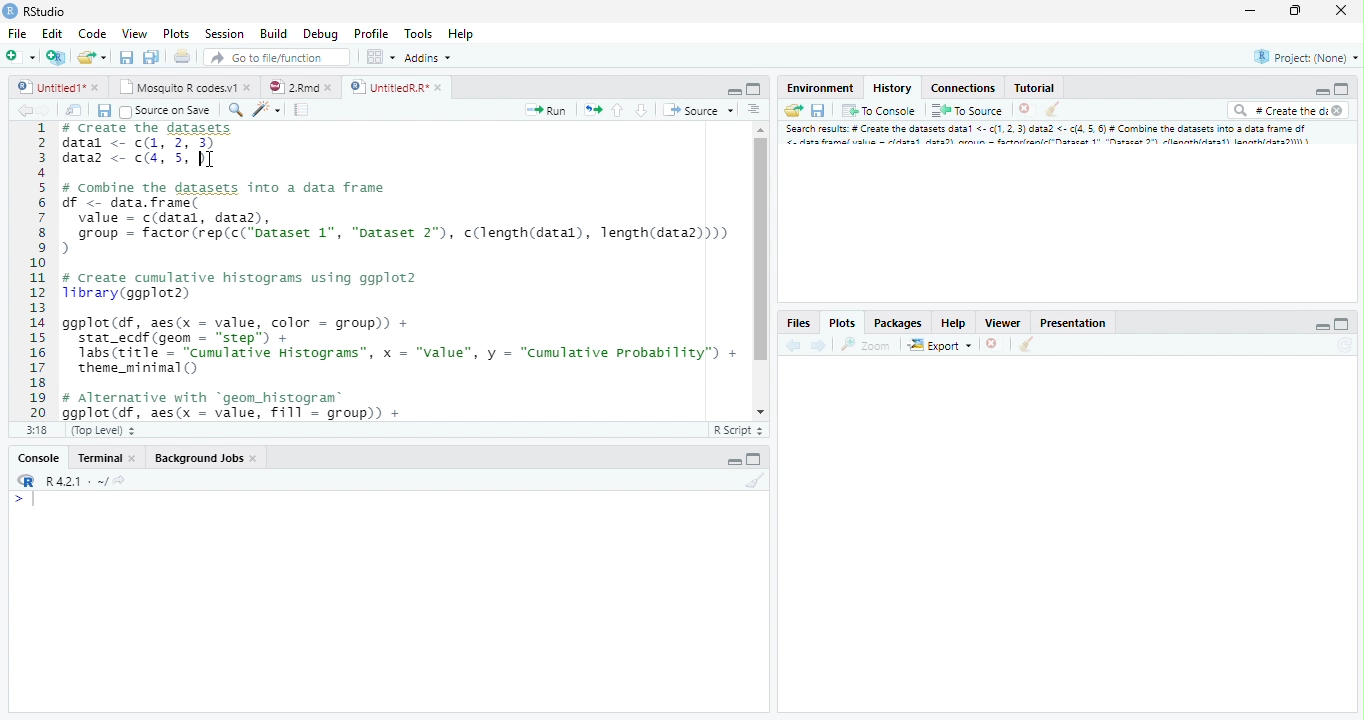 The width and height of the screenshot is (1364, 720). I want to click on # Combine the dataset into a data frame f <- data.frame(value = c(datal, data),group = factor (rep(c("Dataset 1", "Dataset 2"), c(length(datal), length(data2))))create cumulative histograms using ggplot2brary (ggplot2)gplot(df, aes(x = value, color = group)) +stat_ecdf (geom = “step”) +Tabs(ritle = “cumulative Histograms”, x = "value", y = “Cumulative Probability”) +theme_mininal ()Alternative with “geom_histogram®gplot(df, aes(x = value, Fill = group)) +geon_histogram(aes(y = cumsum(.. count. .)/sun(. .count..)),position = "identity", alpha = 0.5, bins = 30) +1abs(title = “Cumulative Histograms”, x = "value", y = “Cumulative Probability”) +, so click(402, 271).